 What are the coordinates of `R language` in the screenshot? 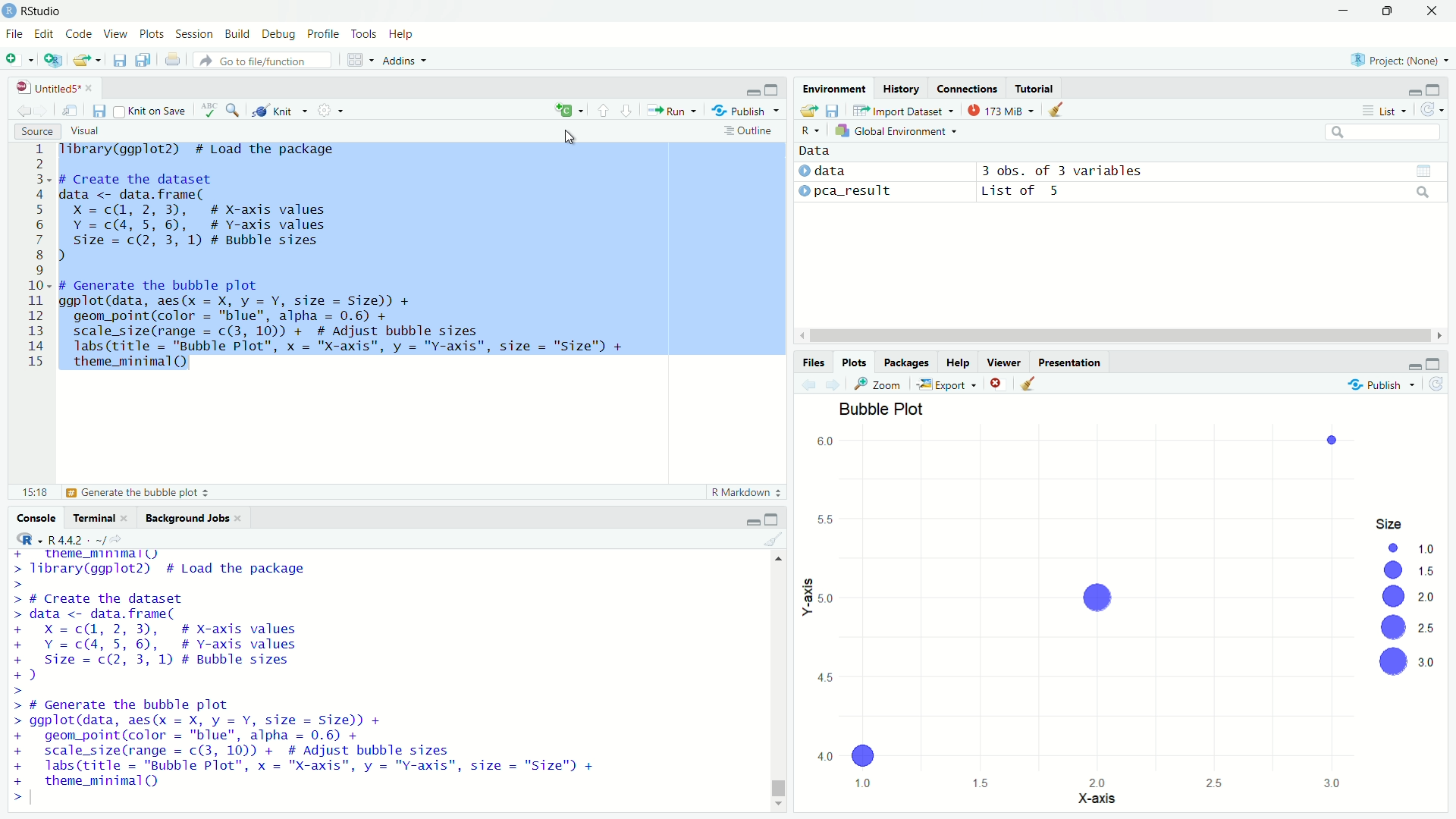 It's located at (25, 538).